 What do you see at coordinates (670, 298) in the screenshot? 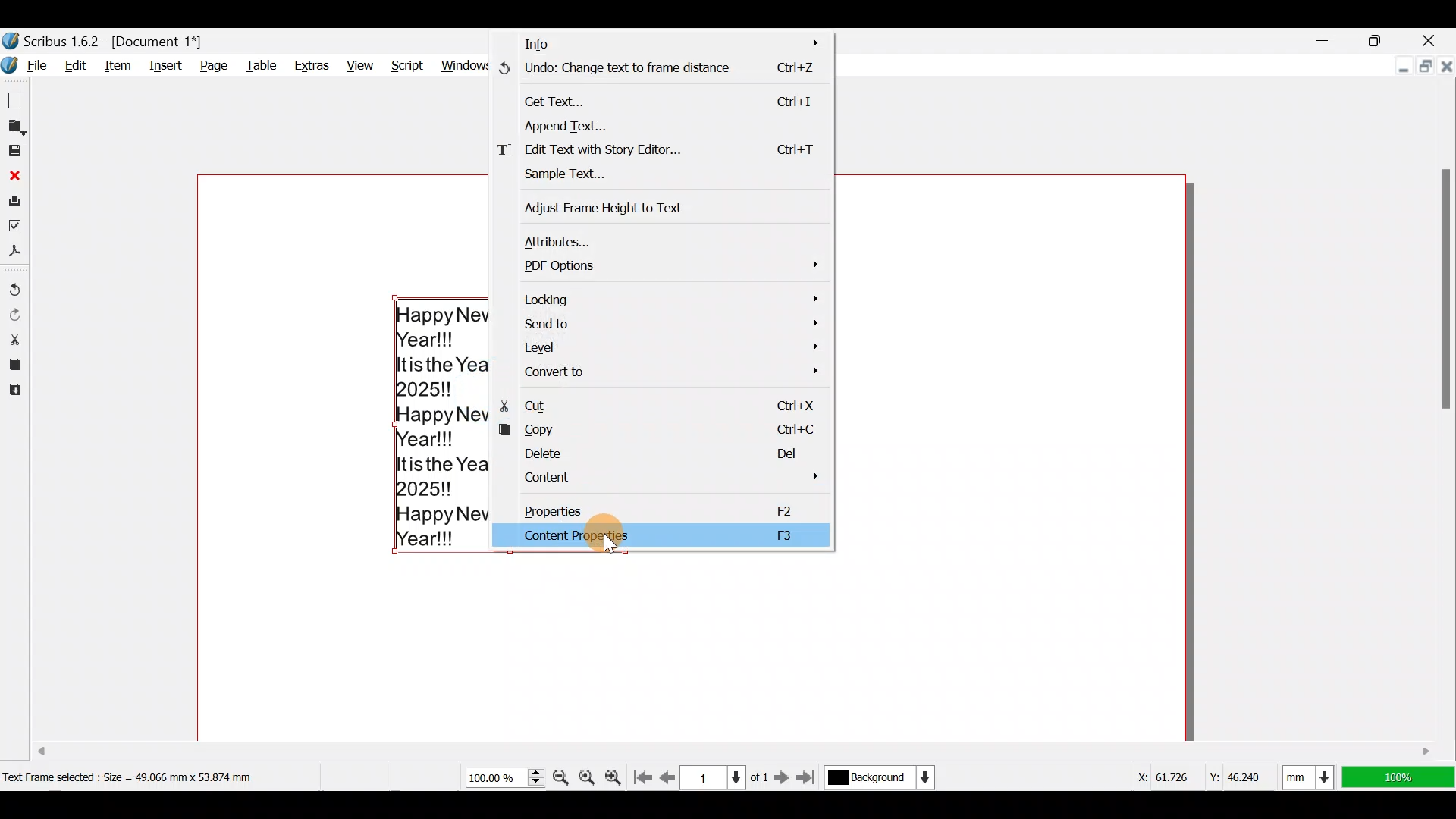
I see `Locking` at bounding box center [670, 298].